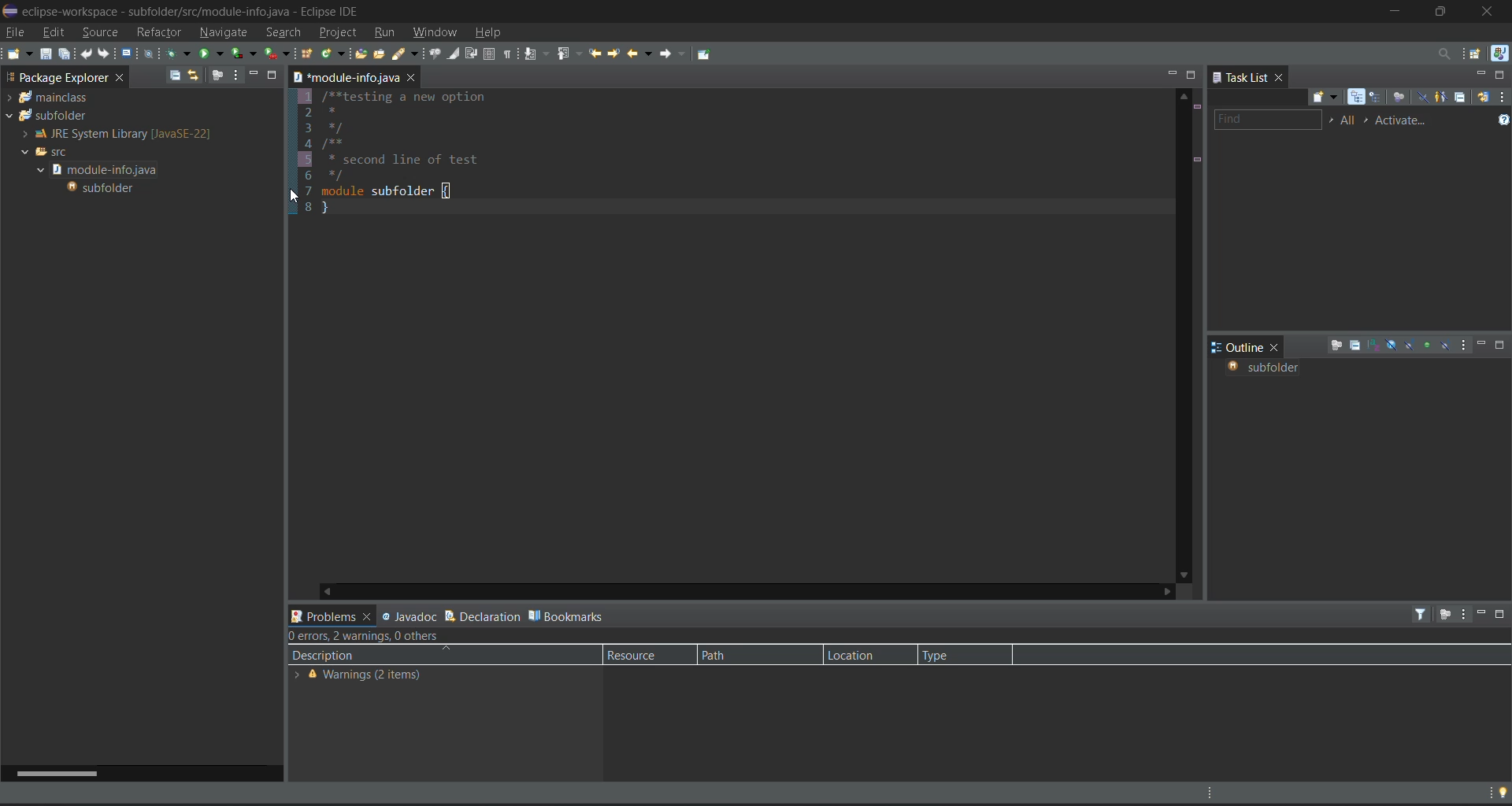  Describe the element at coordinates (736, 655) in the screenshot. I see `path` at that location.